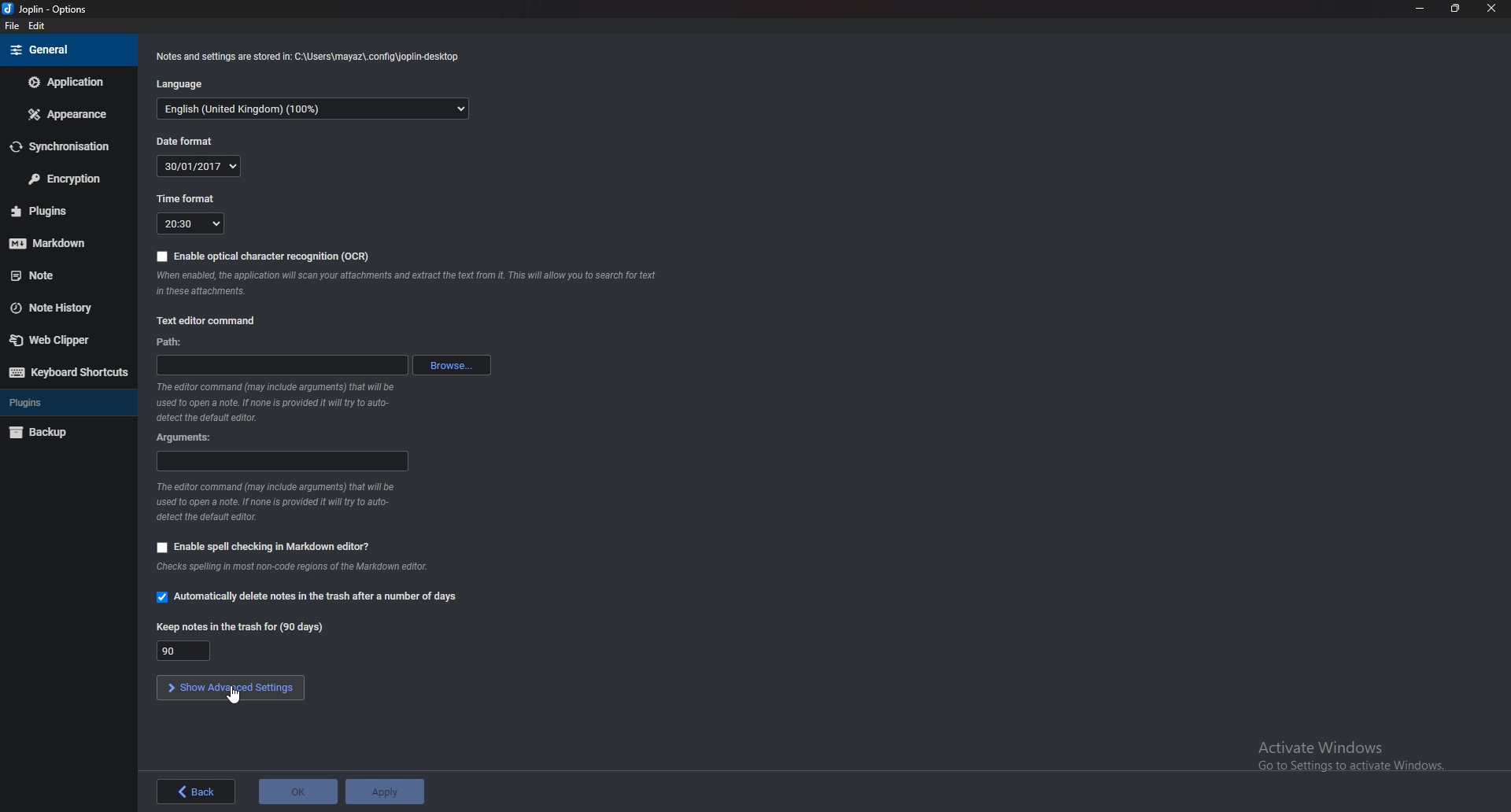 This screenshot has height=812, width=1511. Describe the element at coordinates (61, 210) in the screenshot. I see `Plugins` at that location.